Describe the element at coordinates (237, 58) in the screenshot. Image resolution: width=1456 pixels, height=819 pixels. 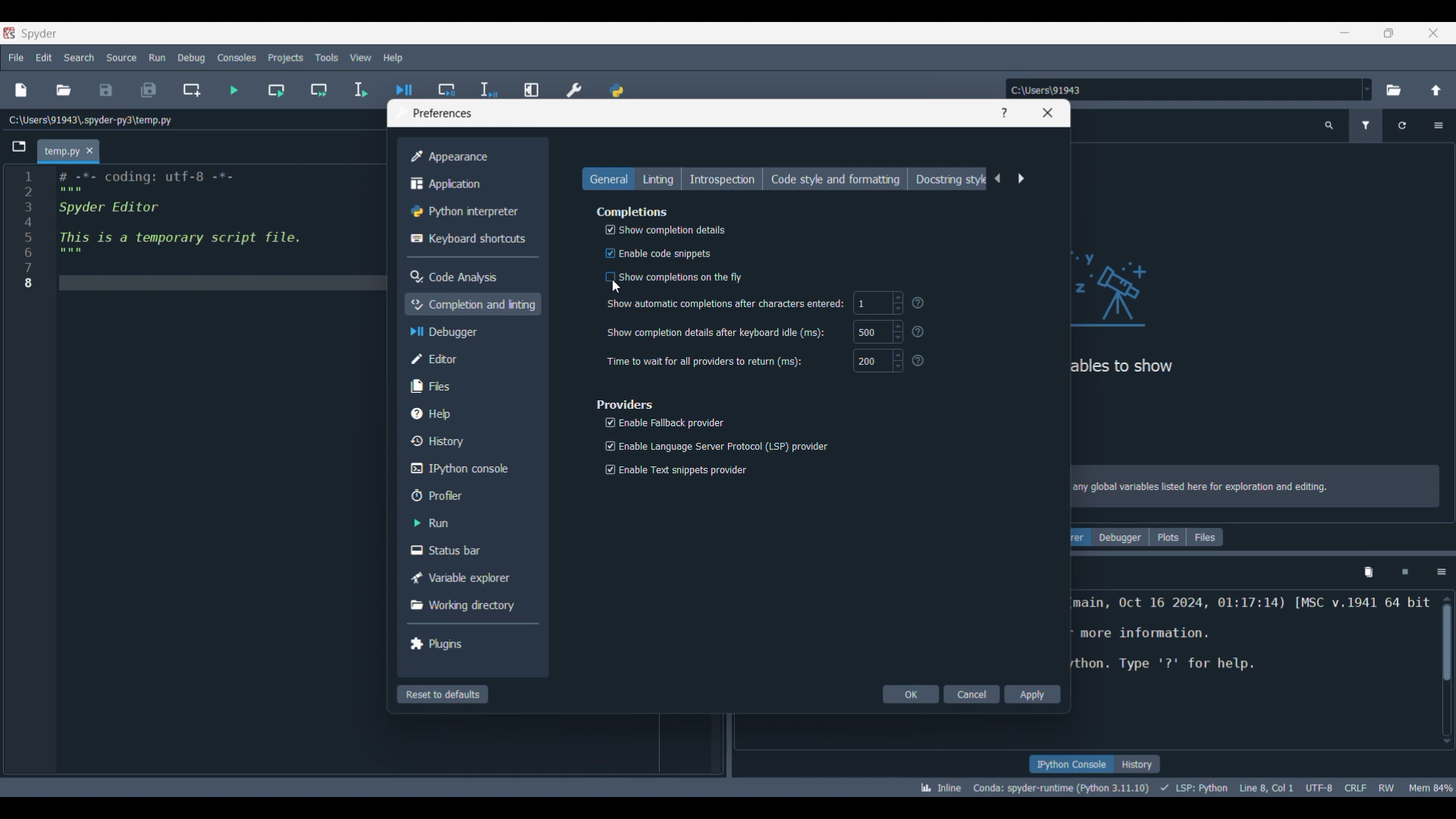
I see `Consoles menu` at that location.